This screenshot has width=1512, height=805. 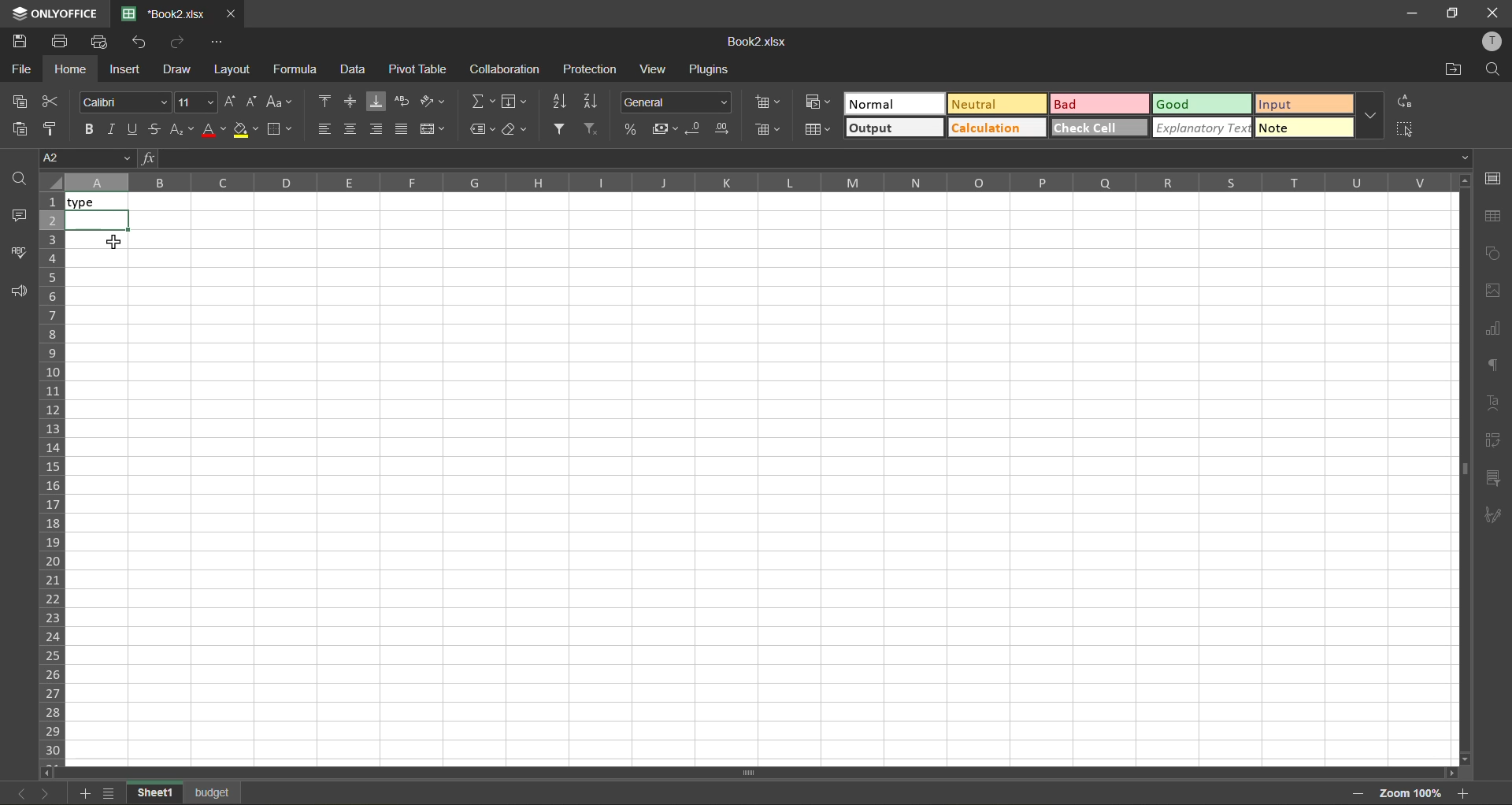 I want to click on natural , so click(x=895, y=102).